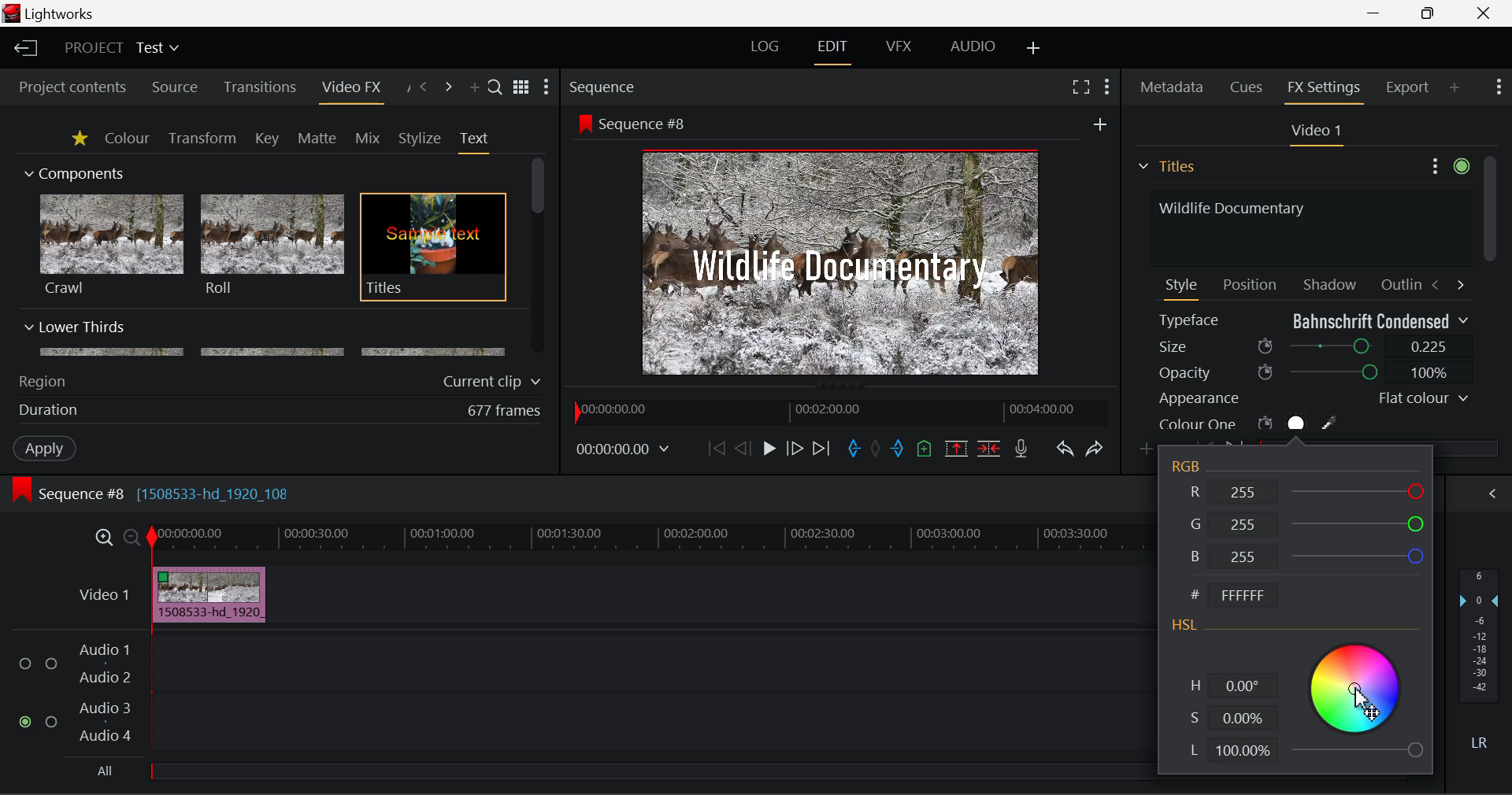 The height and width of the screenshot is (795, 1512). Describe the element at coordinates (1036, 50) in the screenshot. I see `Add Layout` at that location.